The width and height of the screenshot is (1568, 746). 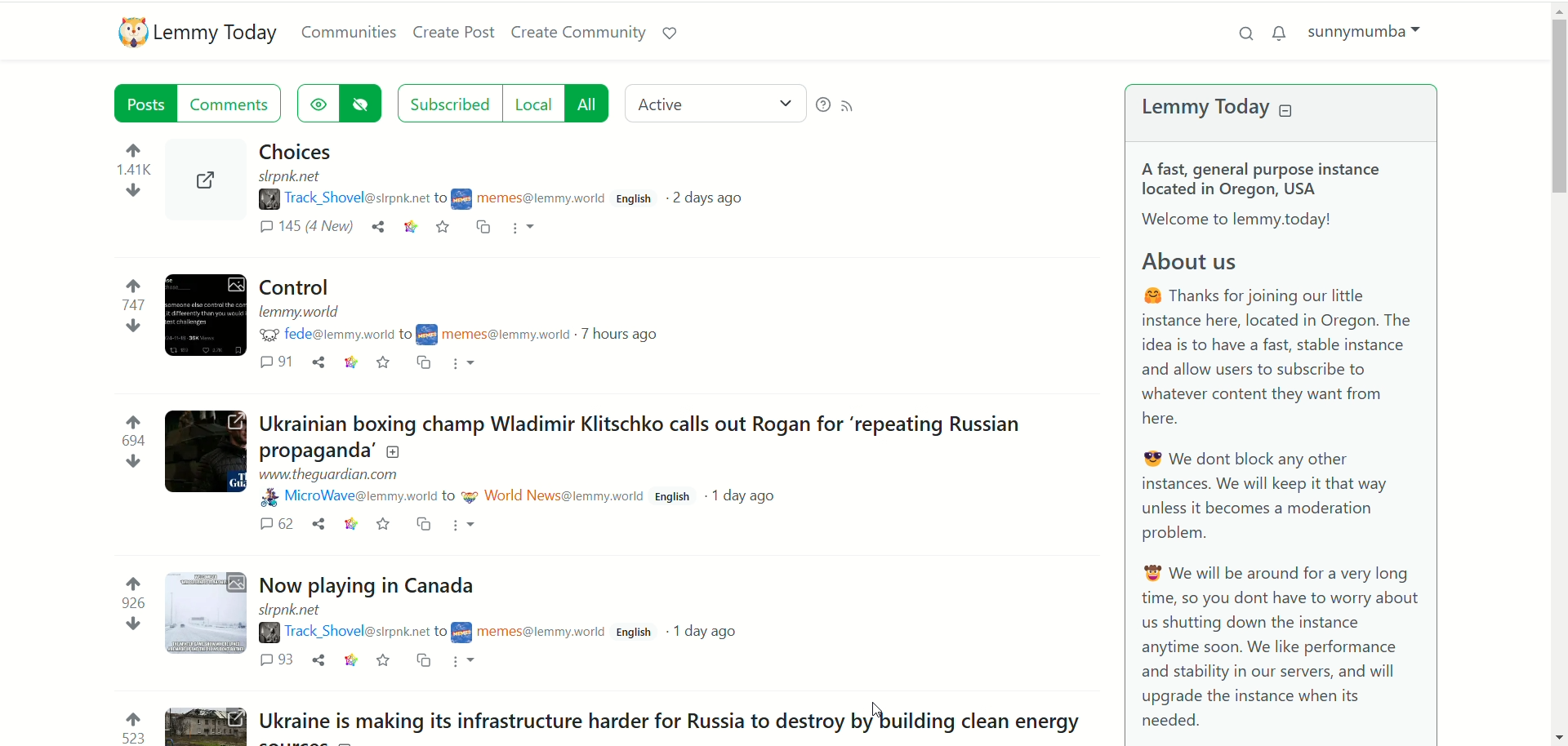 What do you see at coordinates (205, 181) in the screenshot?
I see `Expand the post with the image` at bounding box center [205, 181].